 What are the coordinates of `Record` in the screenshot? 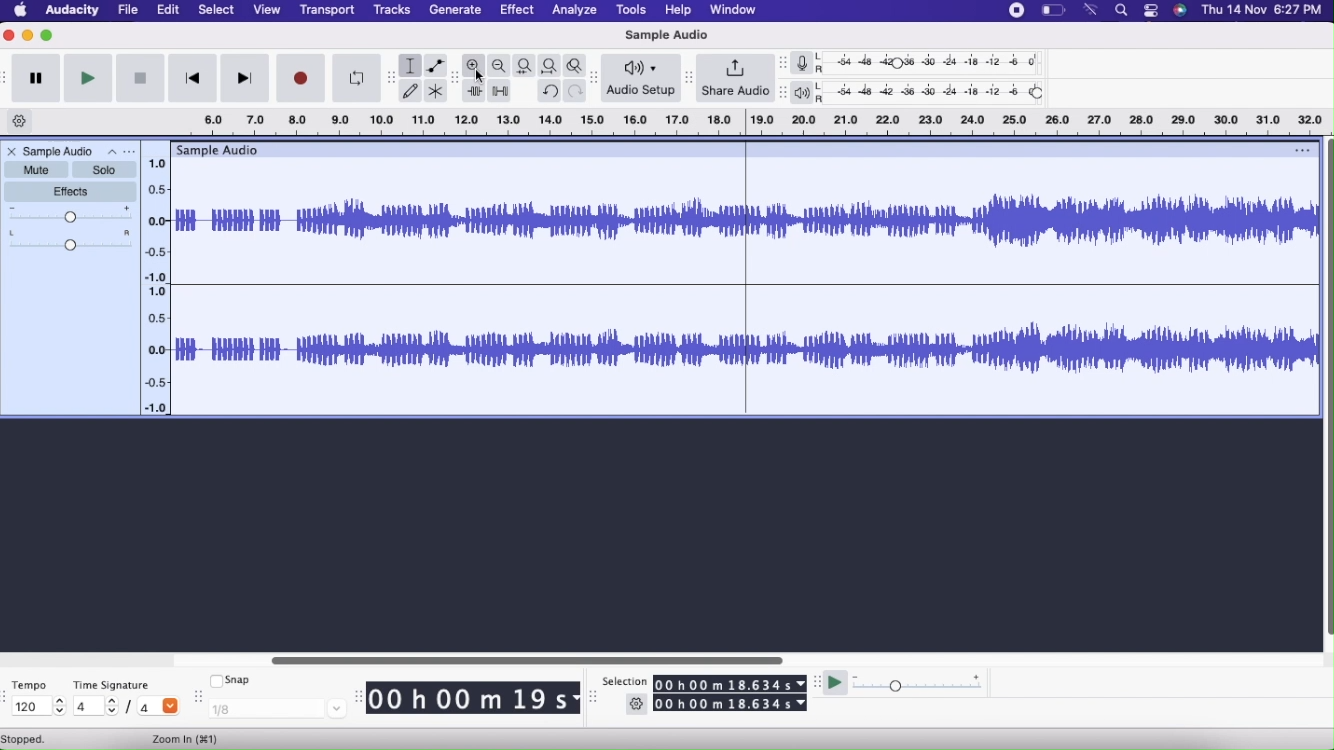 It's located at (1015, 12).